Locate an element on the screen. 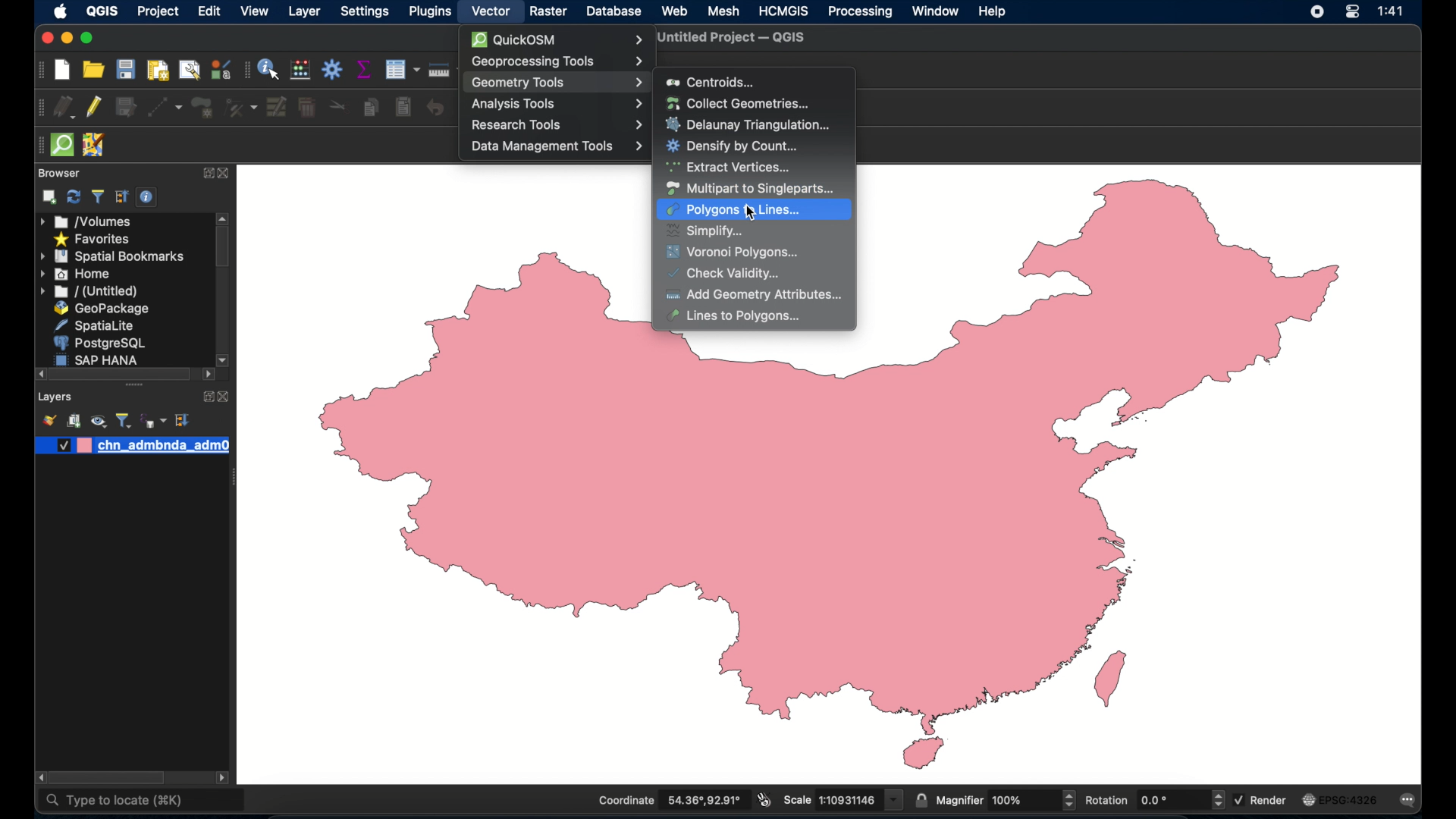  geometry tools is located at coordinates (557, 82).